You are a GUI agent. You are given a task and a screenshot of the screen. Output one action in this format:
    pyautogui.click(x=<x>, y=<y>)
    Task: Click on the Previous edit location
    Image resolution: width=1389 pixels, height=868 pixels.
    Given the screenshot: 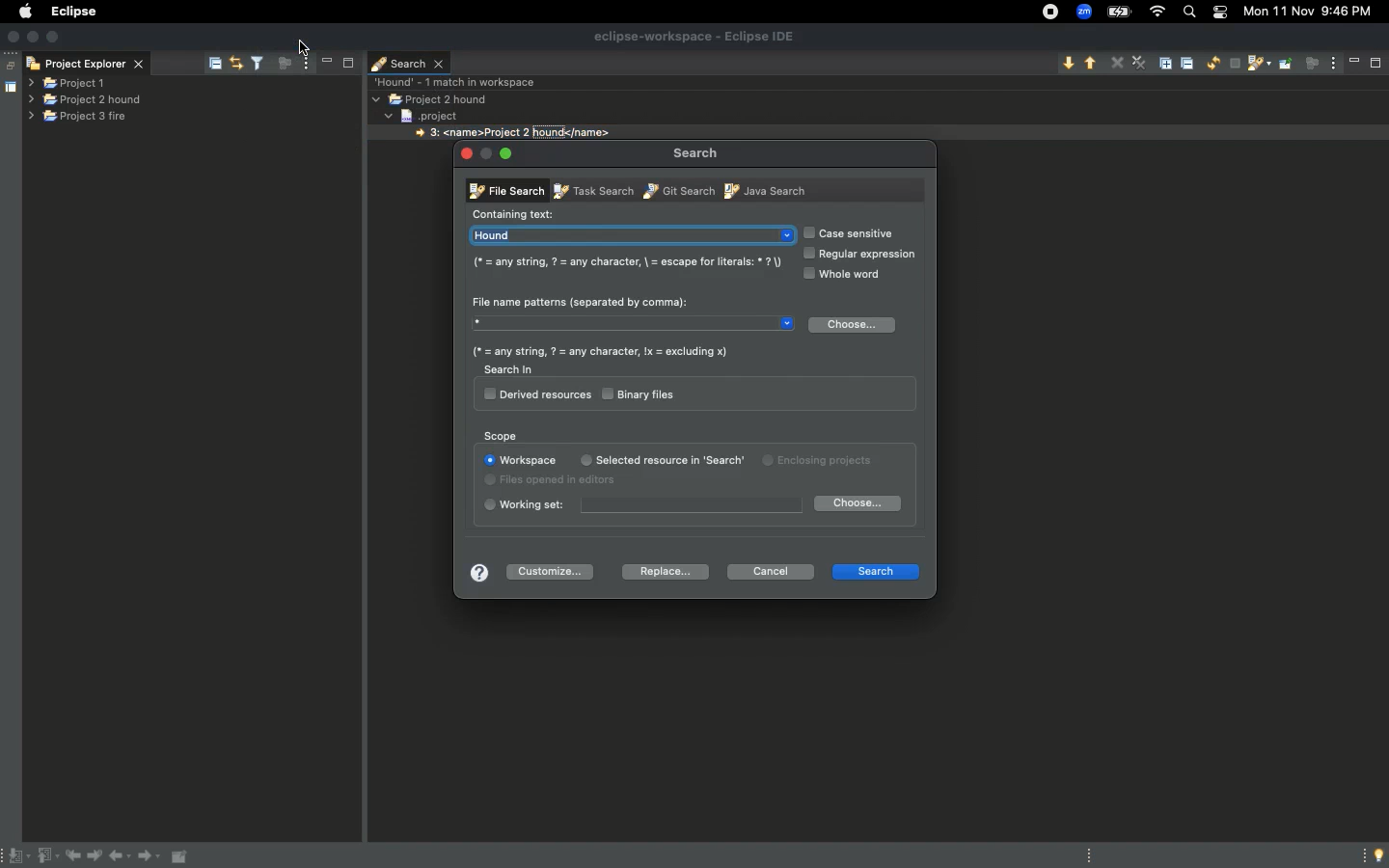 What is the action you would take?
    pyautogui.click(x=76, y=856)
    